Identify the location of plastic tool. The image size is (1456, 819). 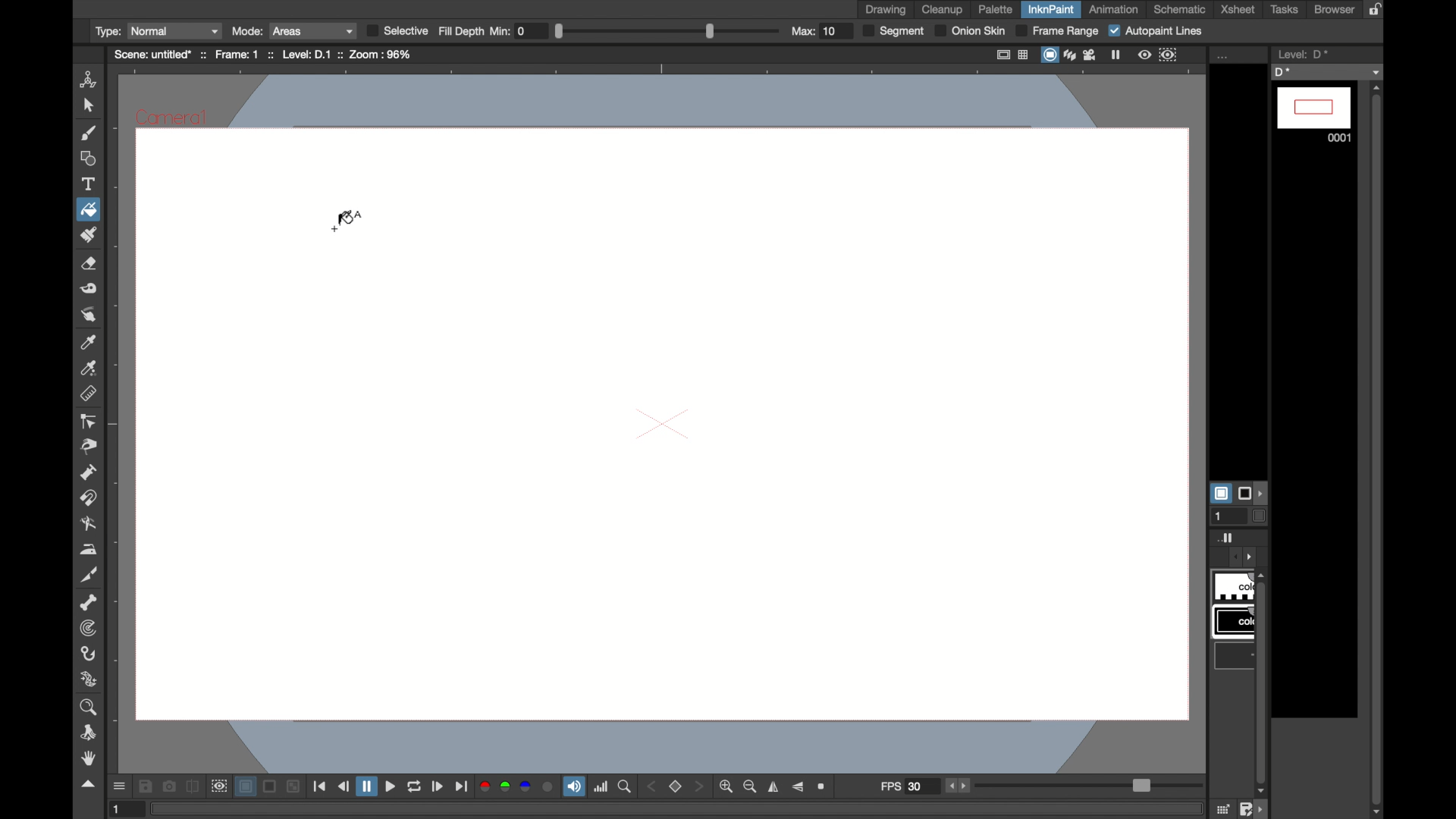
(89, 679).